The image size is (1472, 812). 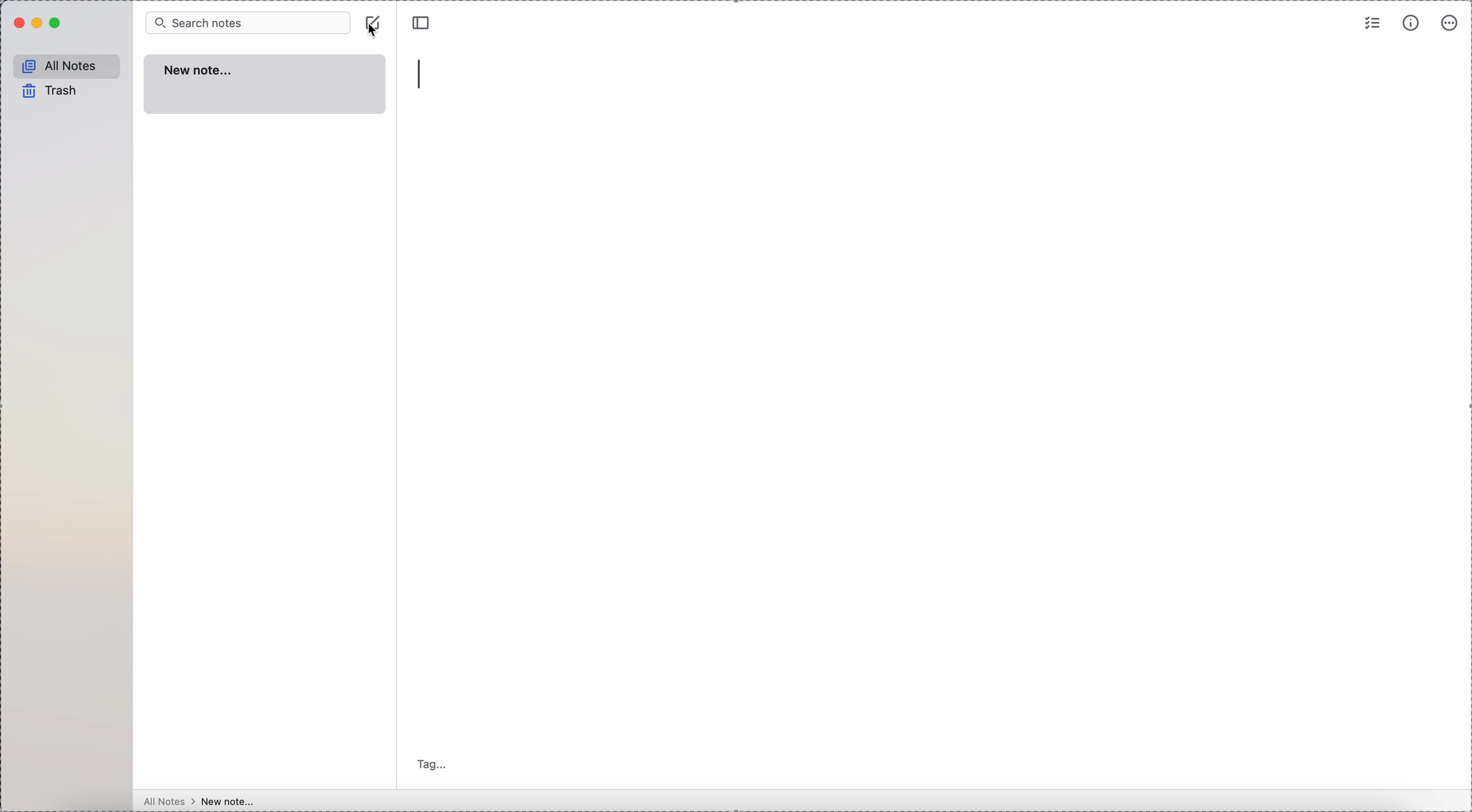 What do you see at coordinates (1371, 25) in the screenshot?
I see `check list` at bounding box center [1371, 25].